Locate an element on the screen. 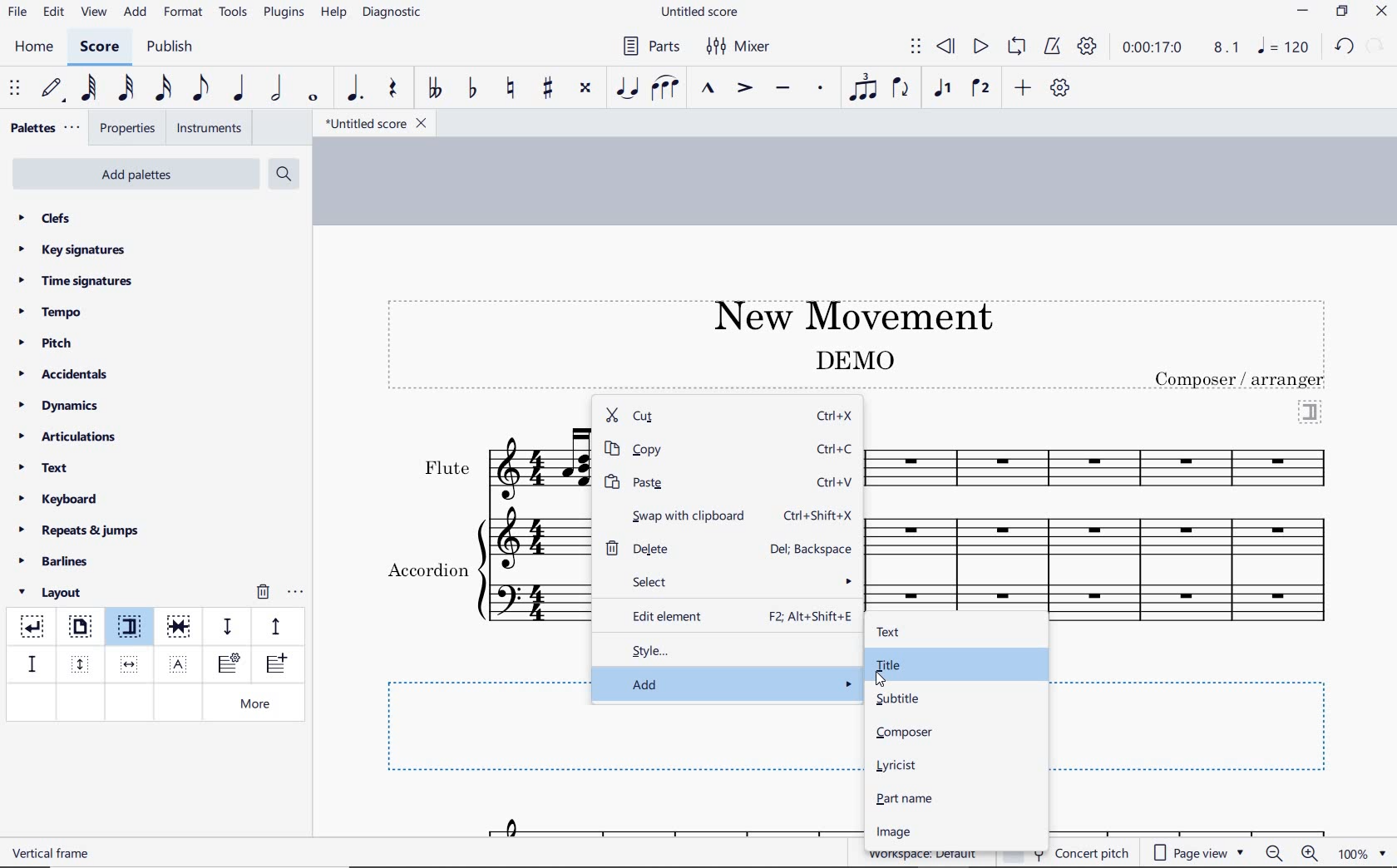 Image resolution: width=1397 pixels, height=868 pixels. insert horizontal is located at coordinates (130, 664).